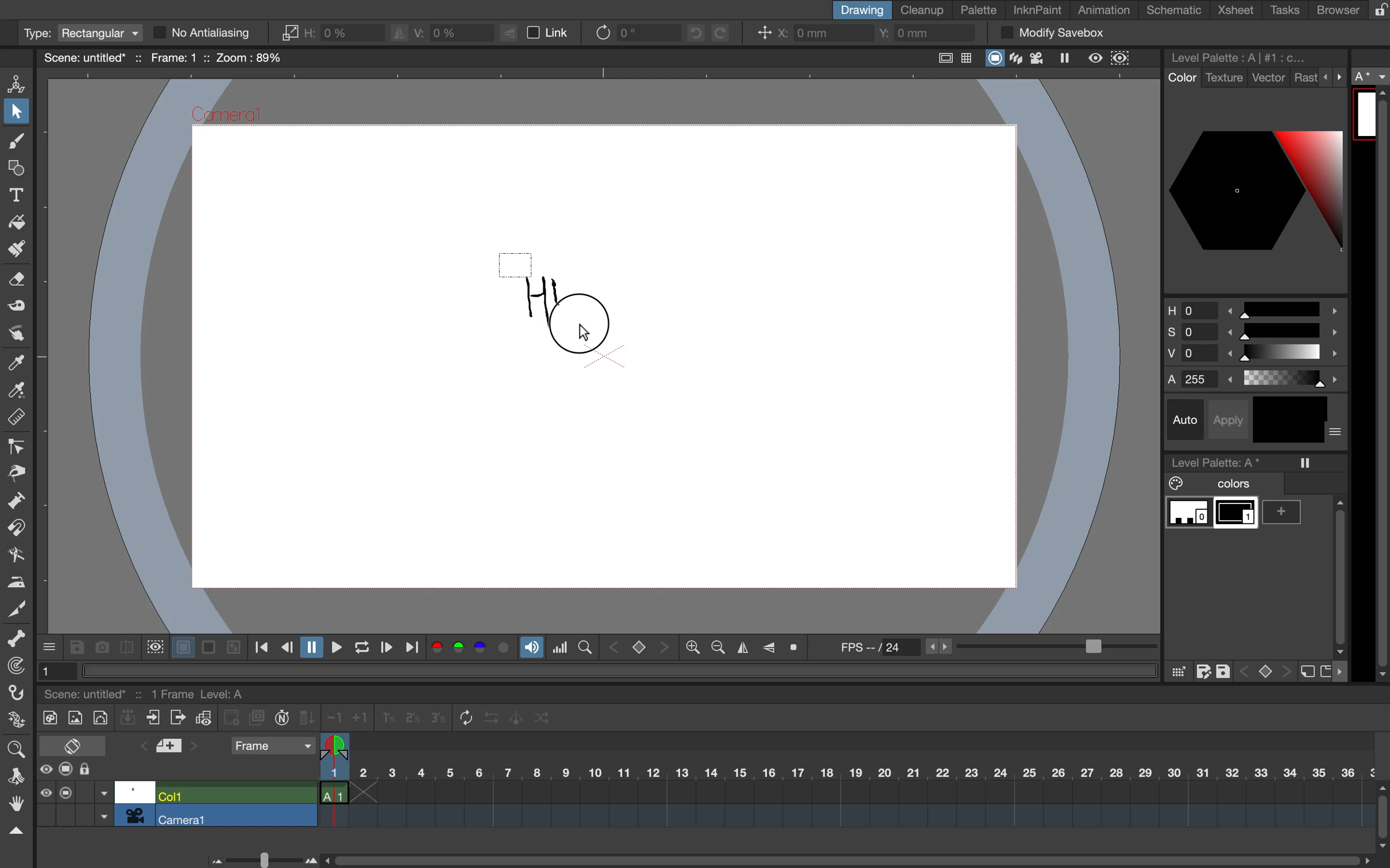 The image size is (1390, 868). Describe the element at coordinates (17, 472) in the screenshot. I see `pinch tool` at that location.